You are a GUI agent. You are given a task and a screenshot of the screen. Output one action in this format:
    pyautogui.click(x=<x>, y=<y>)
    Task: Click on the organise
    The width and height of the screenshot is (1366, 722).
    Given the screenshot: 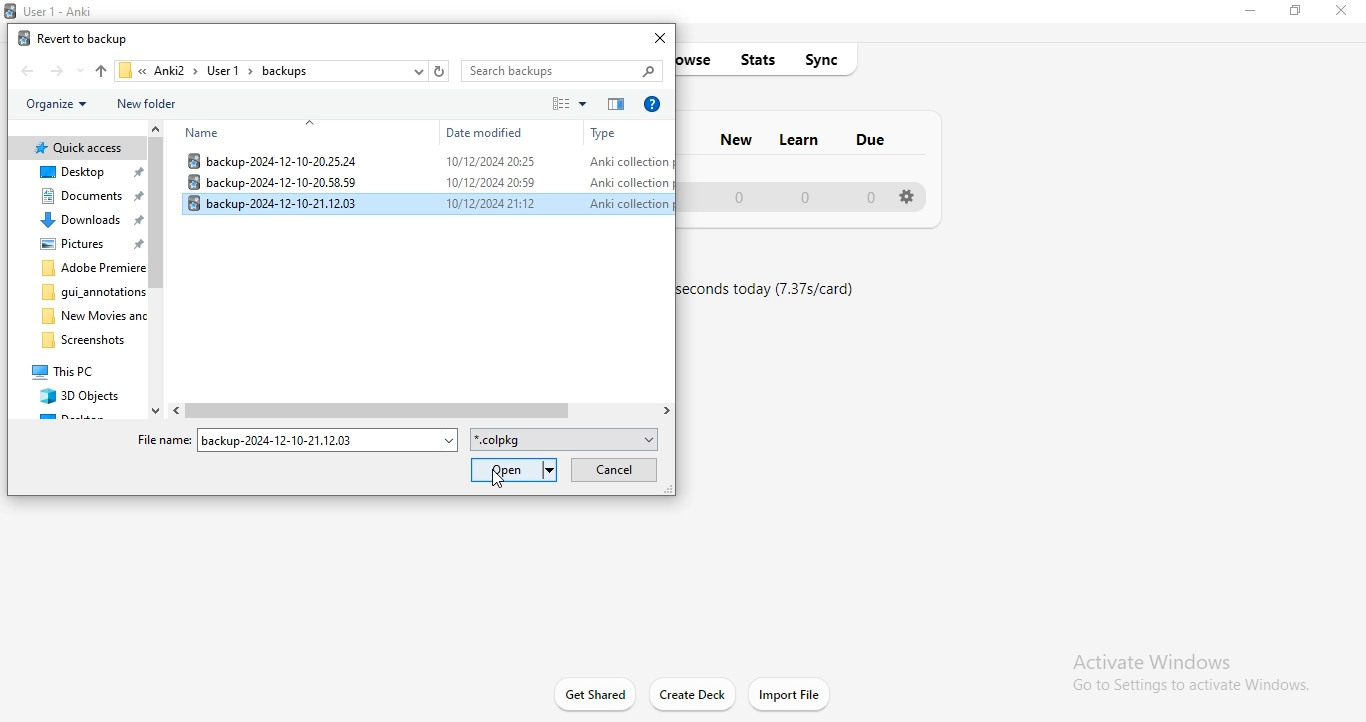 What is the action you would take?
    pyautogui.click(x=62, y=105)
    